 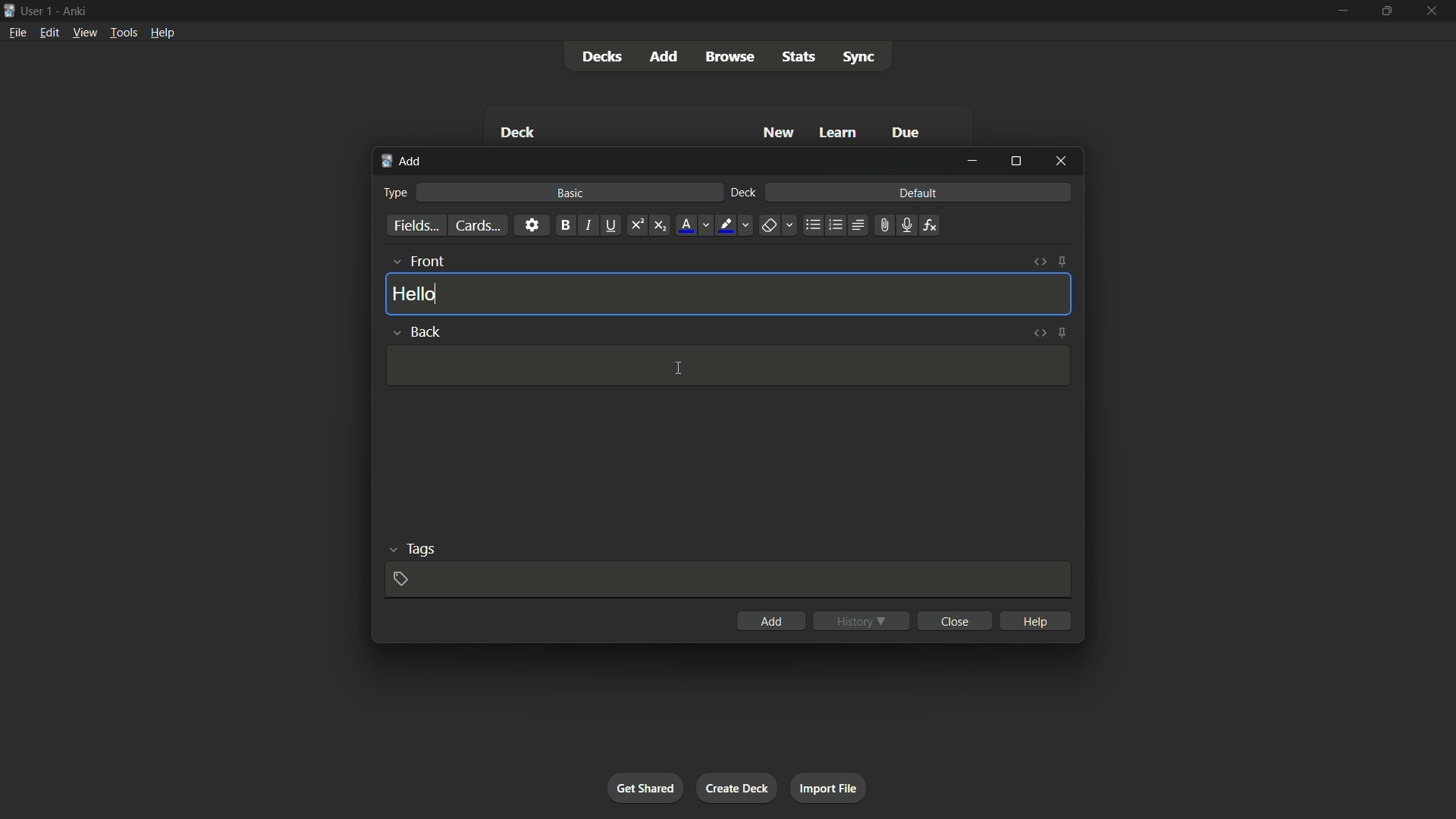 I want to click on learn, so click(x=839, y=132).